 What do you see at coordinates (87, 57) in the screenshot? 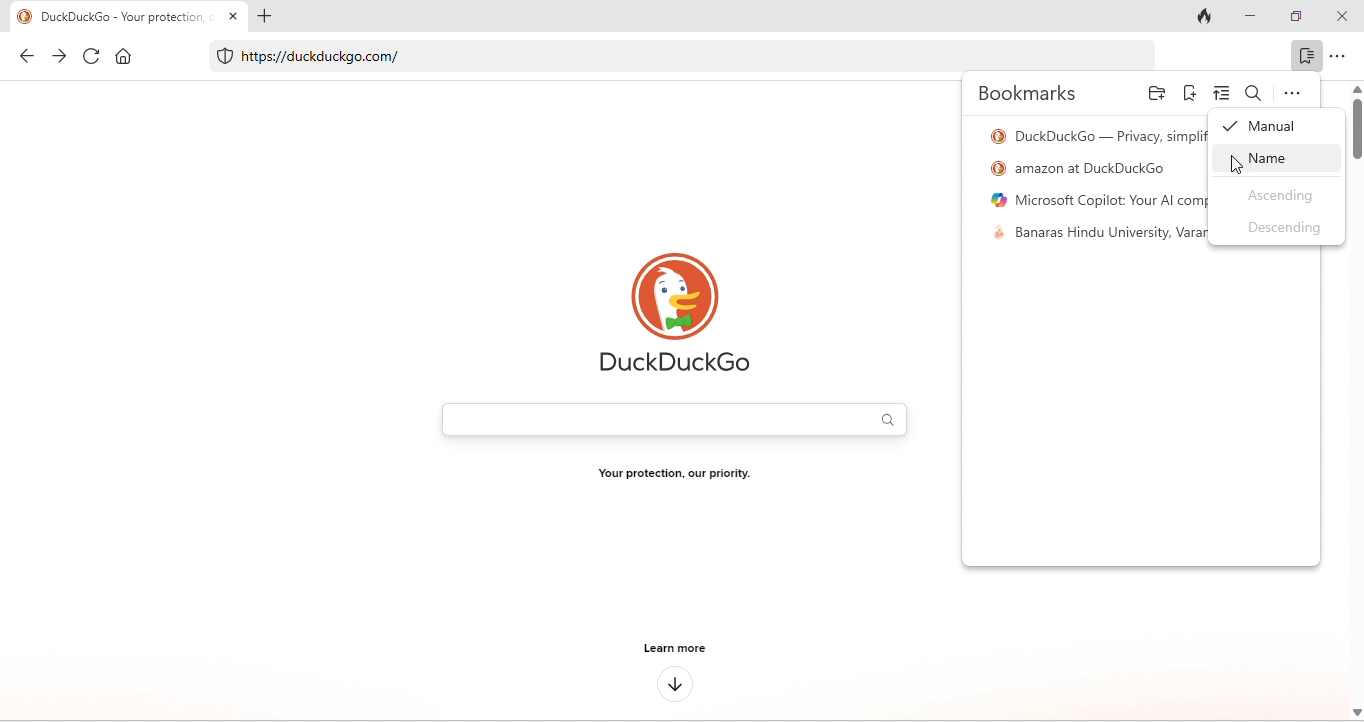
I see `refresh` at bounding box center [87, 57].